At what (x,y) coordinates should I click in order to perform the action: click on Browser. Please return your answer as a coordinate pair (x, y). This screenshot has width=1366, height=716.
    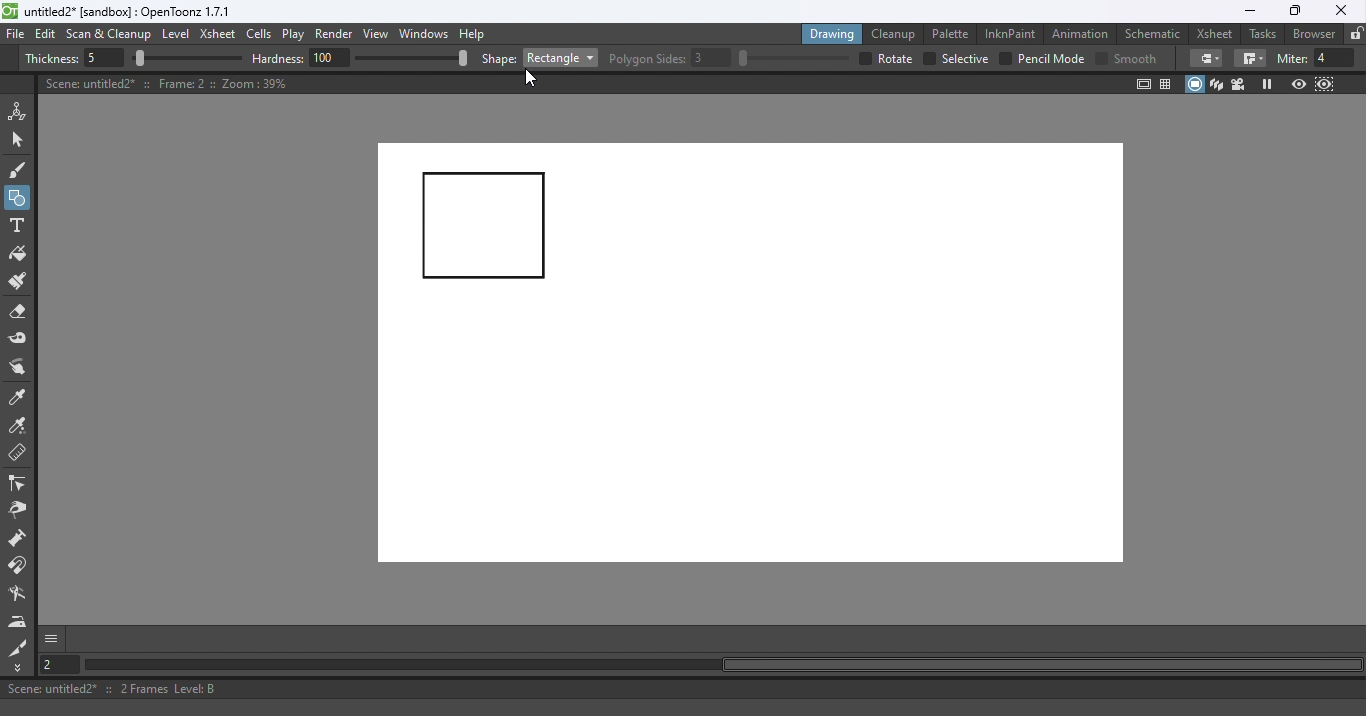
    Looking at the image, I should click on (1311, 33).